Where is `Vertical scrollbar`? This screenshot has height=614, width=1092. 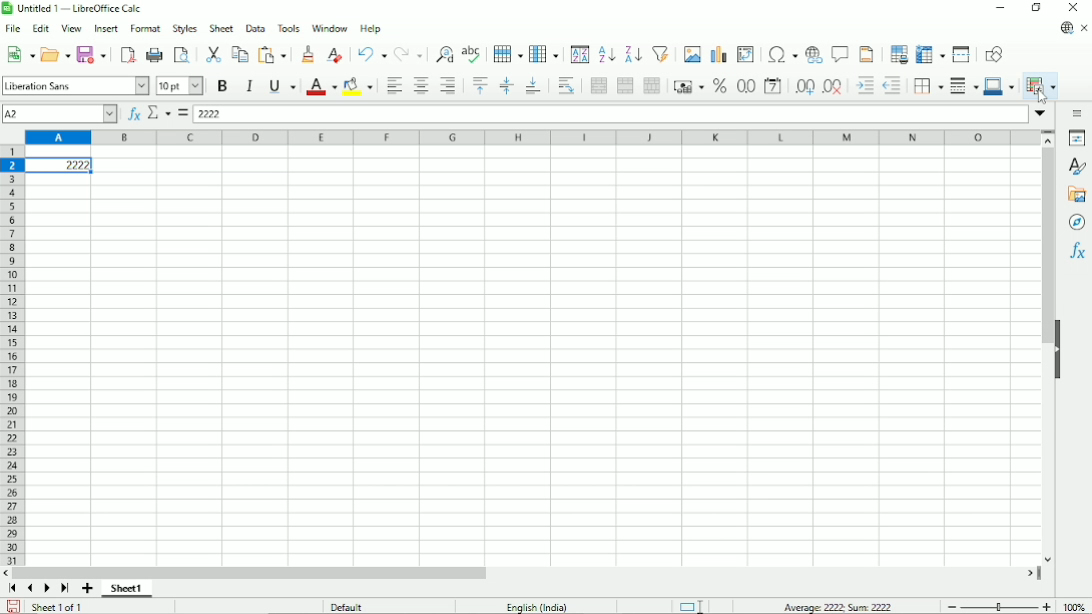
Vertical scrollbar is located at coordinates (1048, 247).